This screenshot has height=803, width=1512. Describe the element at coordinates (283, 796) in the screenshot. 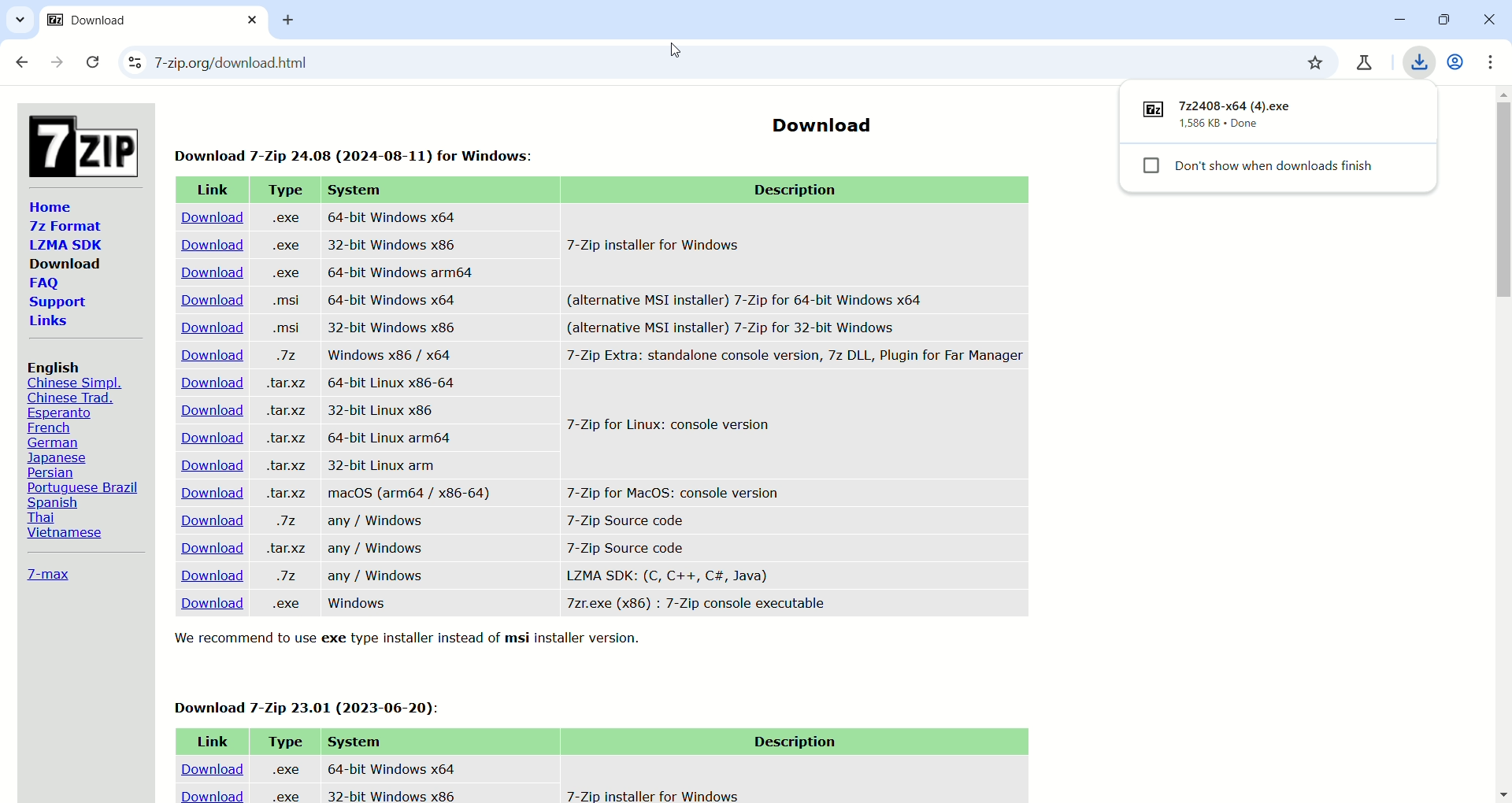

I see `.exe` at that location.